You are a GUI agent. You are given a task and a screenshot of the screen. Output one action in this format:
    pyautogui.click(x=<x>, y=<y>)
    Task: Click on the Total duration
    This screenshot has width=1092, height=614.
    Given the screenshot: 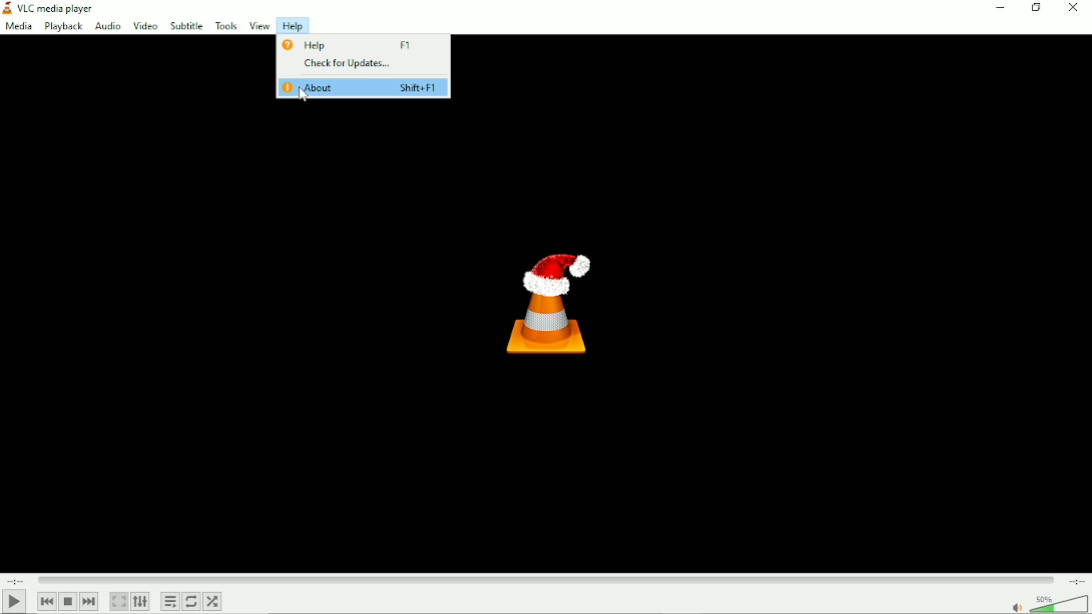 What is the action you would take?
    pyautogui.click(x=1077, y=580)
    